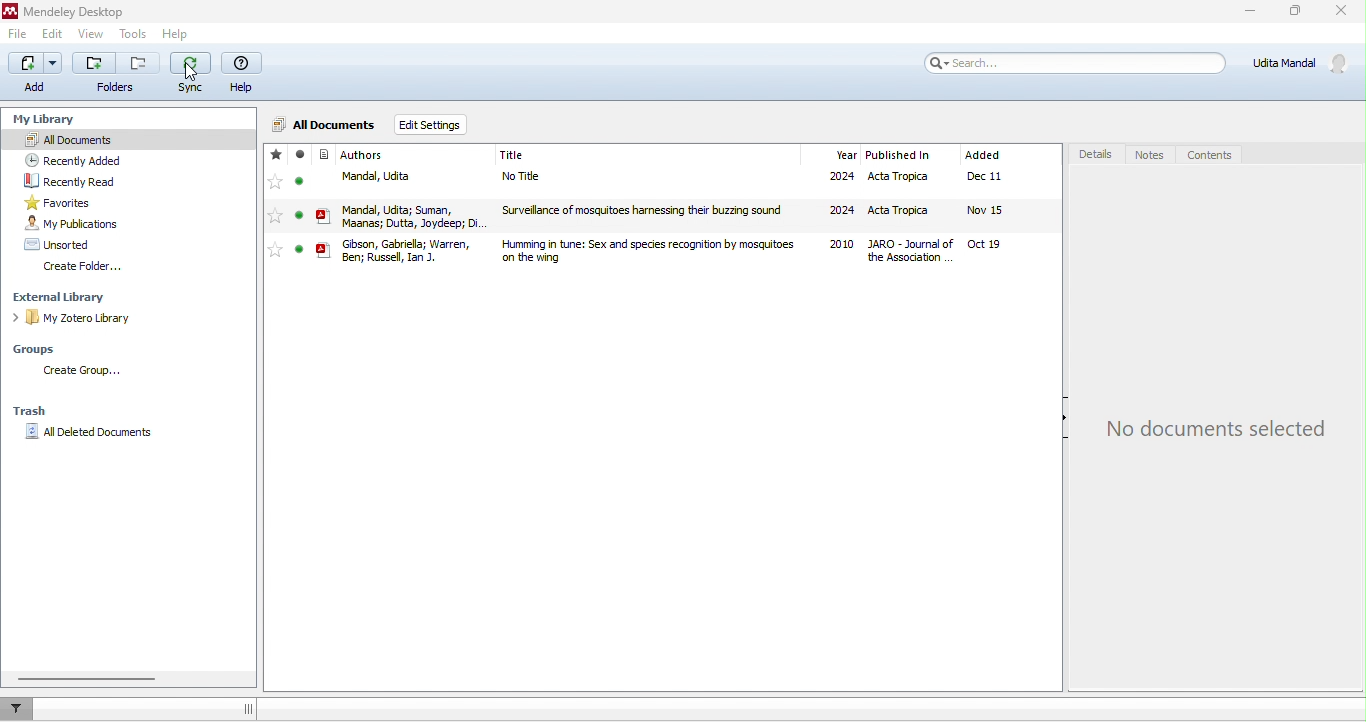 This screenshot has height=722, width=1366. What do you see at coordinates (902, 154) in the screenshot?
I see `published in ` at bounding box center [902, 154].